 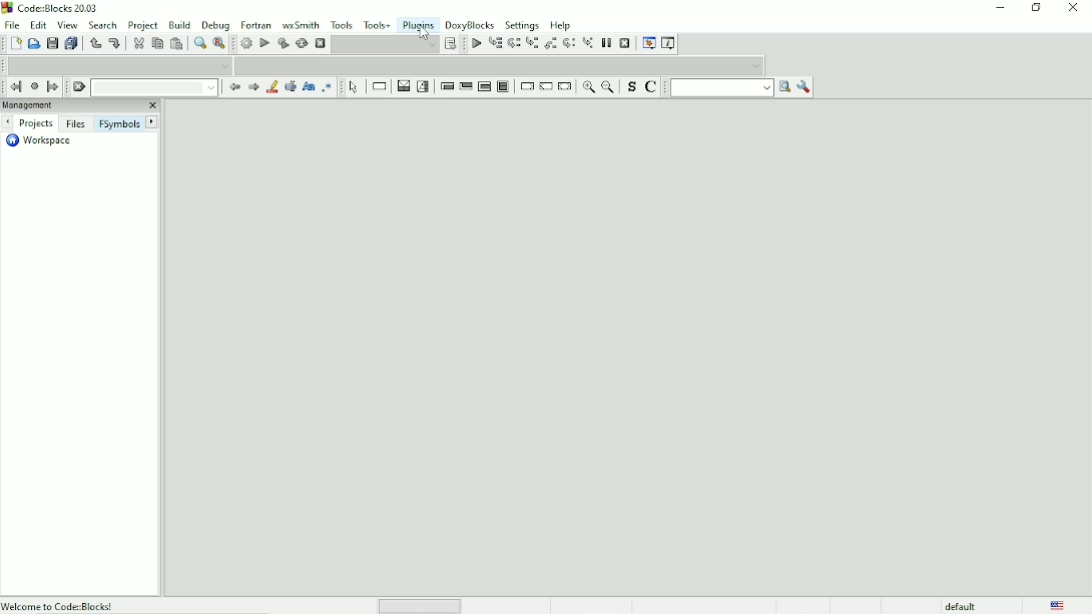 What do you see at coordinates (51, 44) in the screenshot?
I see `Save` at bounding box center [51, 44].